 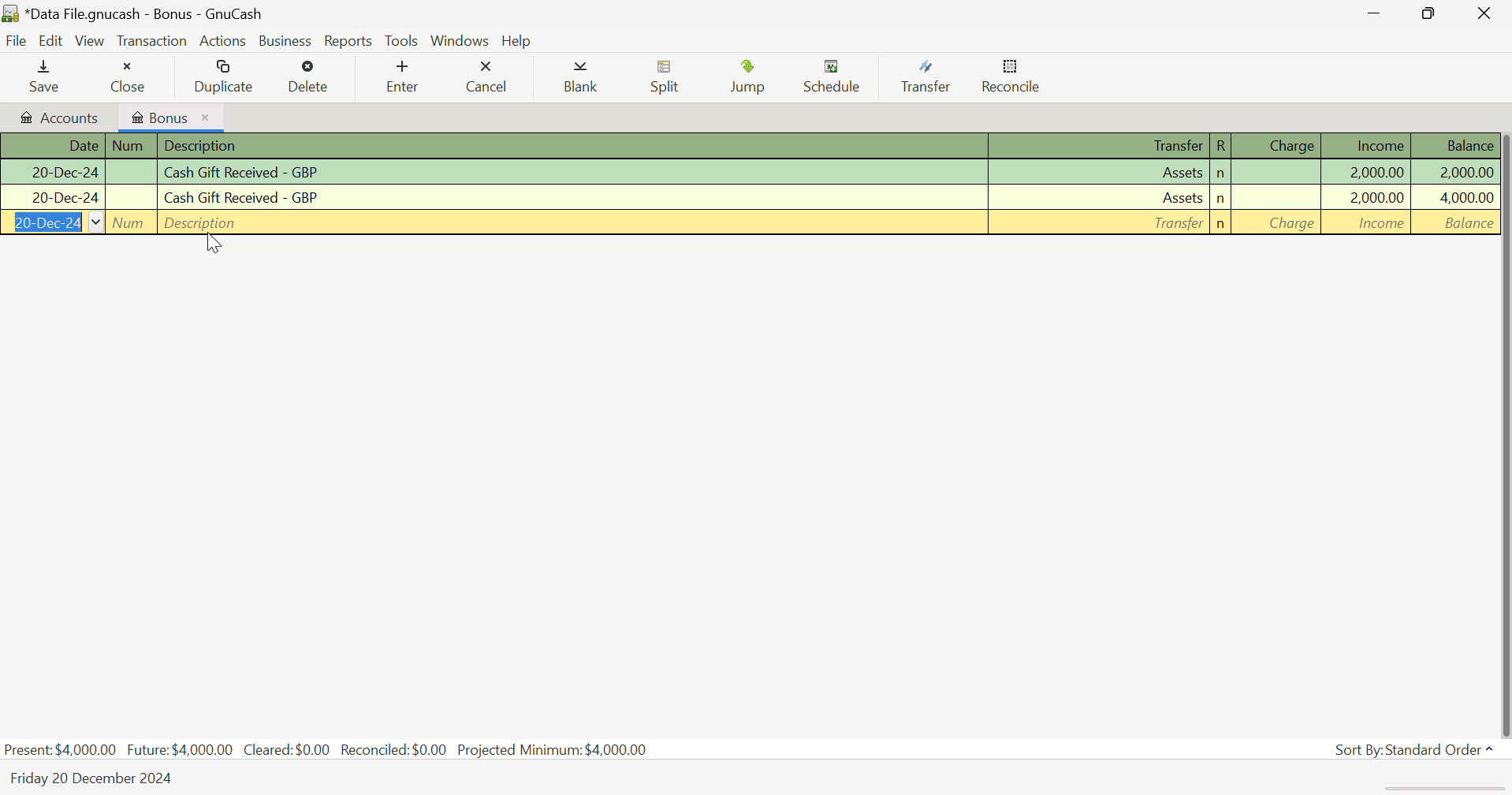 What do you see at coordinates (132, 172) in the screenshot?
I see `Num` at bounding box center [132, 172].